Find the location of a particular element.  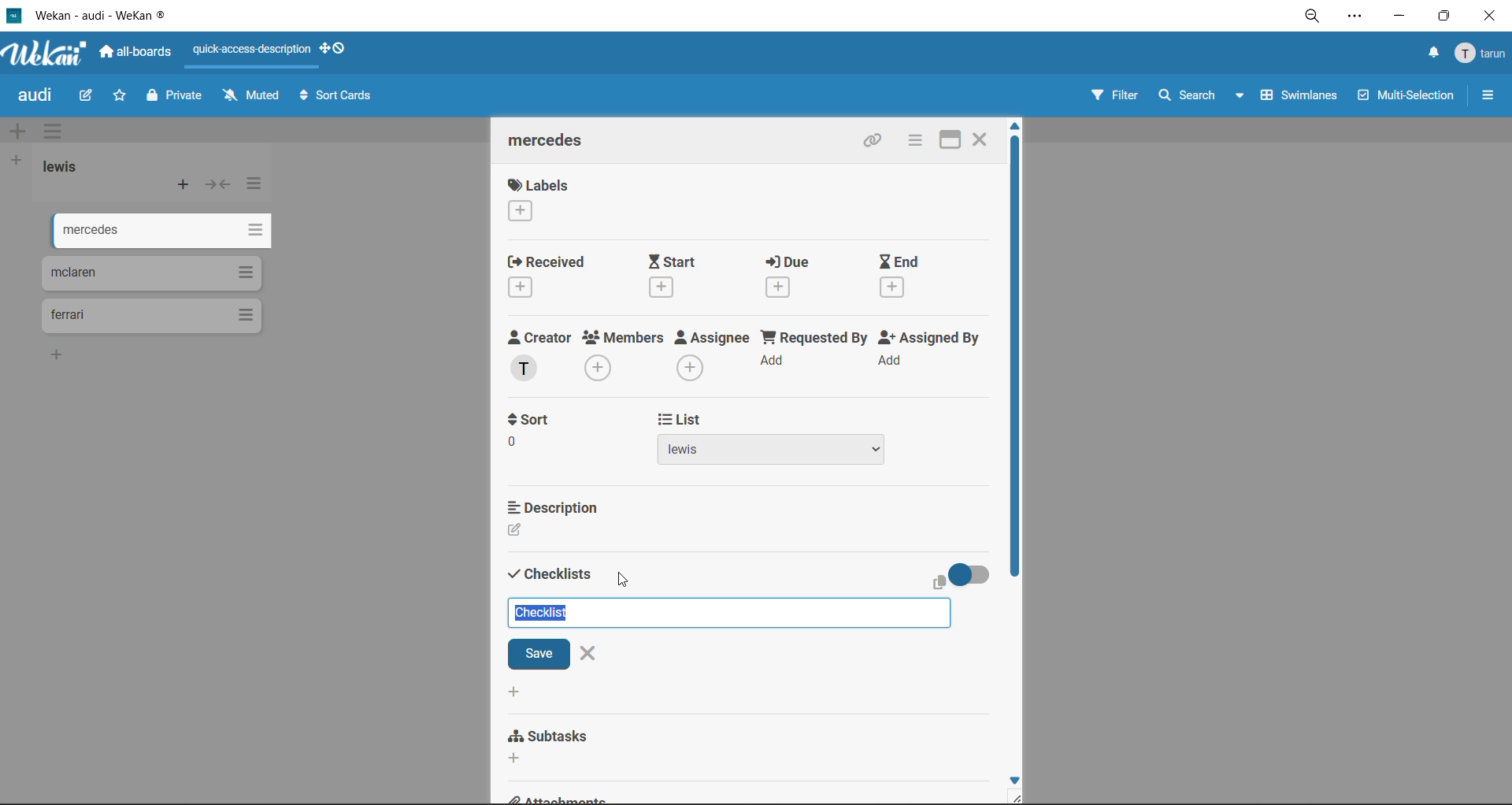

close is located at coordinates (594, 655).